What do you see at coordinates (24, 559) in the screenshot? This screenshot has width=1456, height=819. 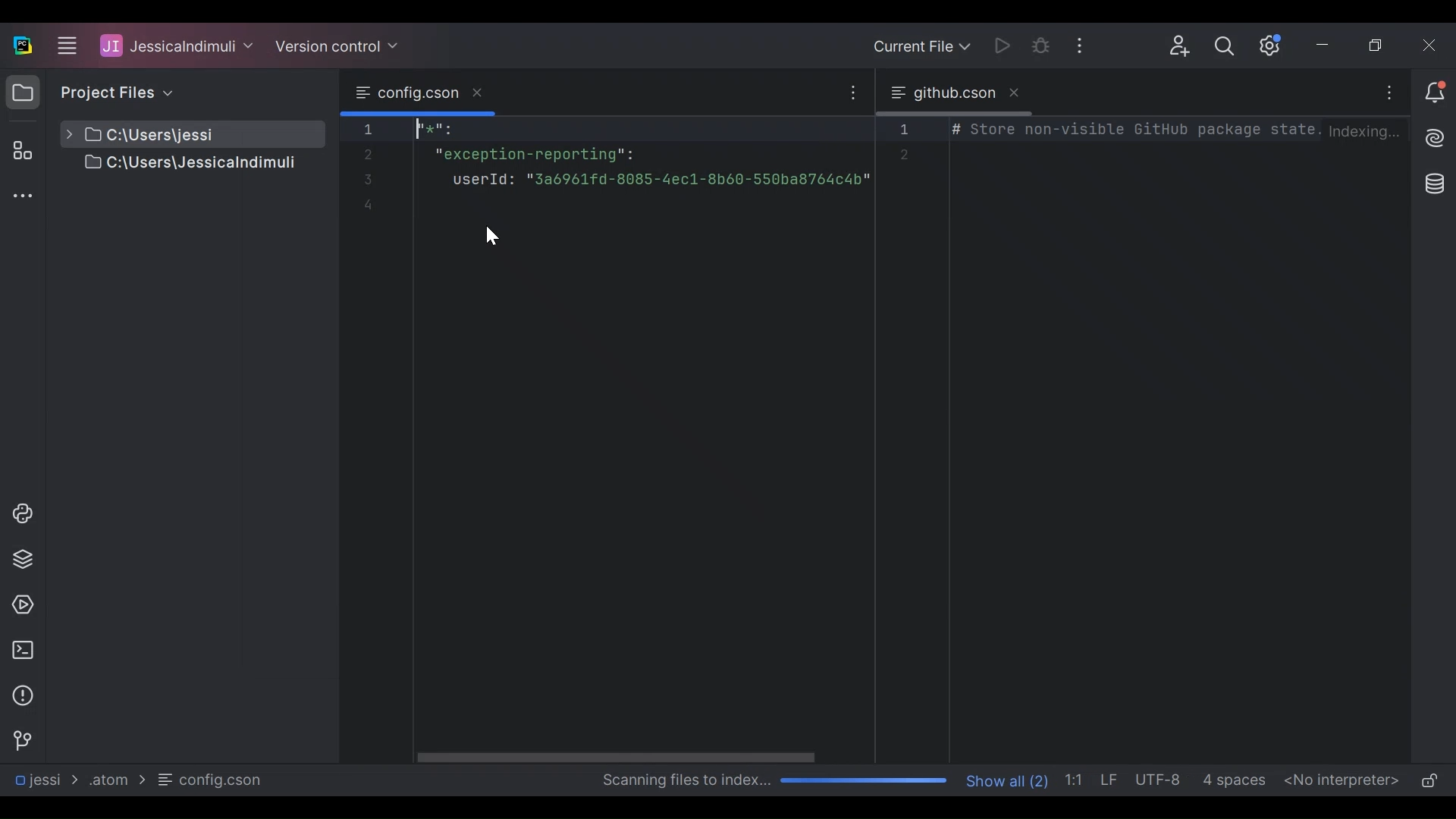 I see `Python` at bounding box center [24, 559].